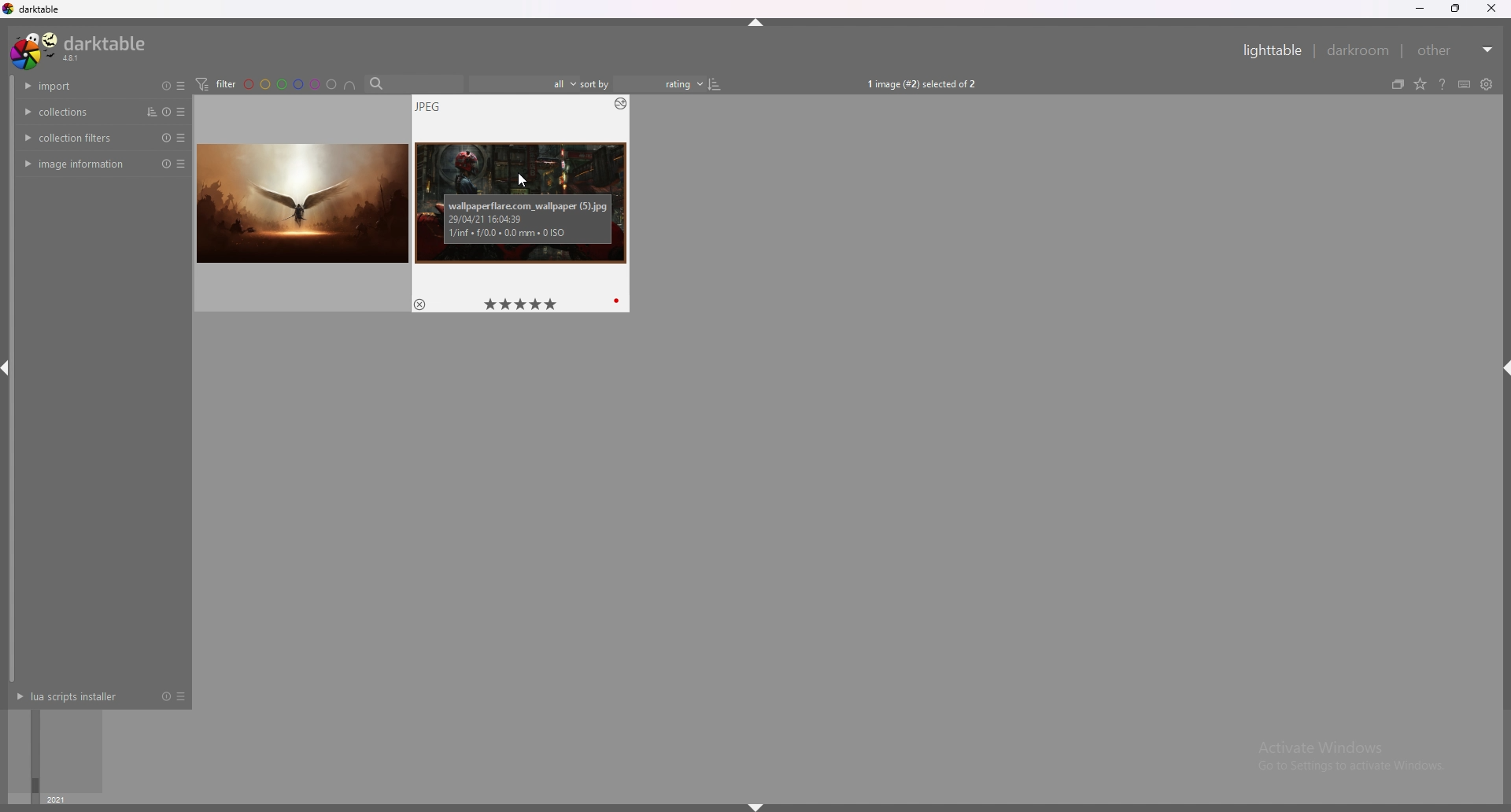  Describe the element at coordinates (1358, 50) in the screenshot. I see `darkroom` at that location.